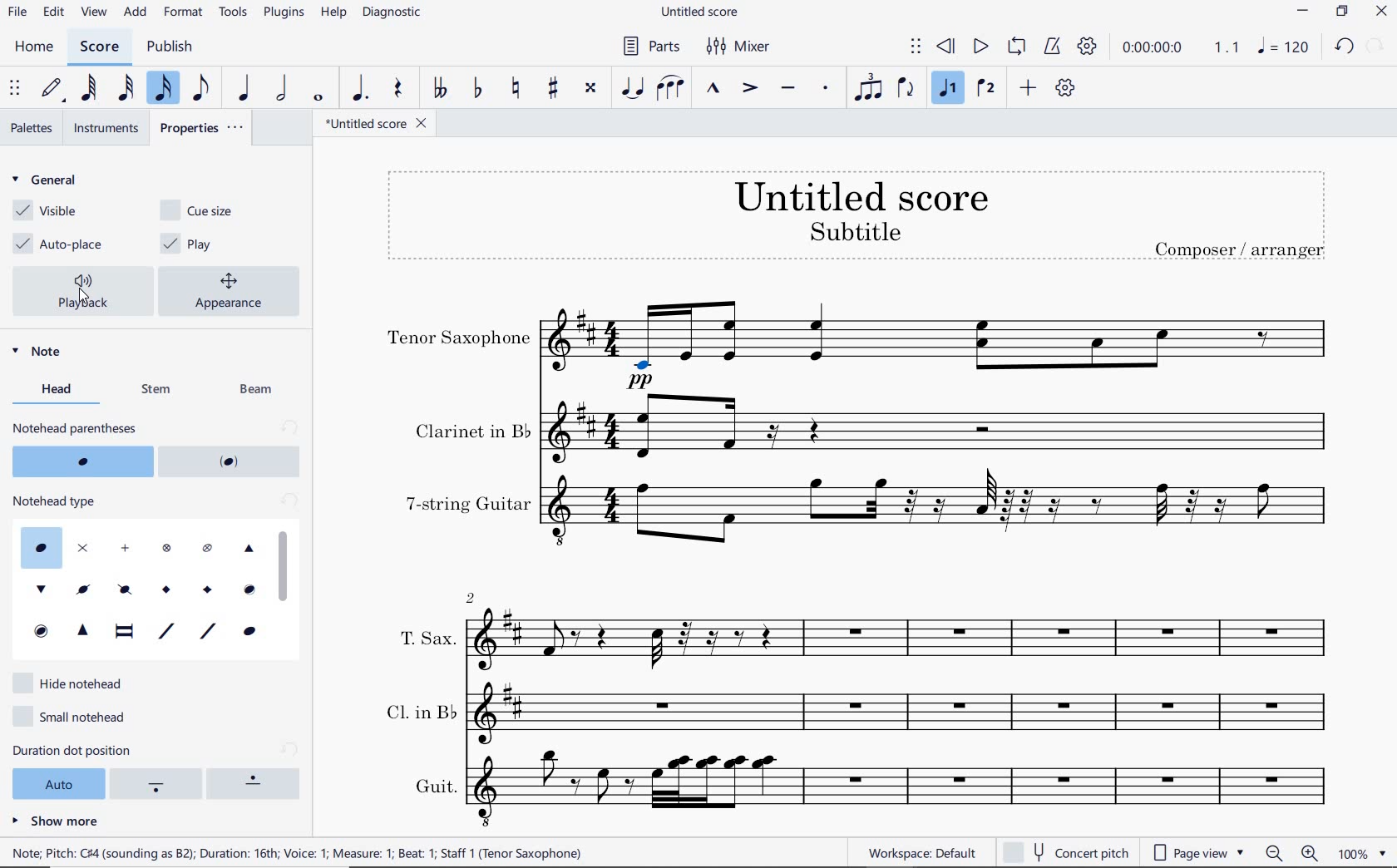 Image resolution: width=1397 pixels, height=868 pixels. I want to click on text, so click(467, 504).